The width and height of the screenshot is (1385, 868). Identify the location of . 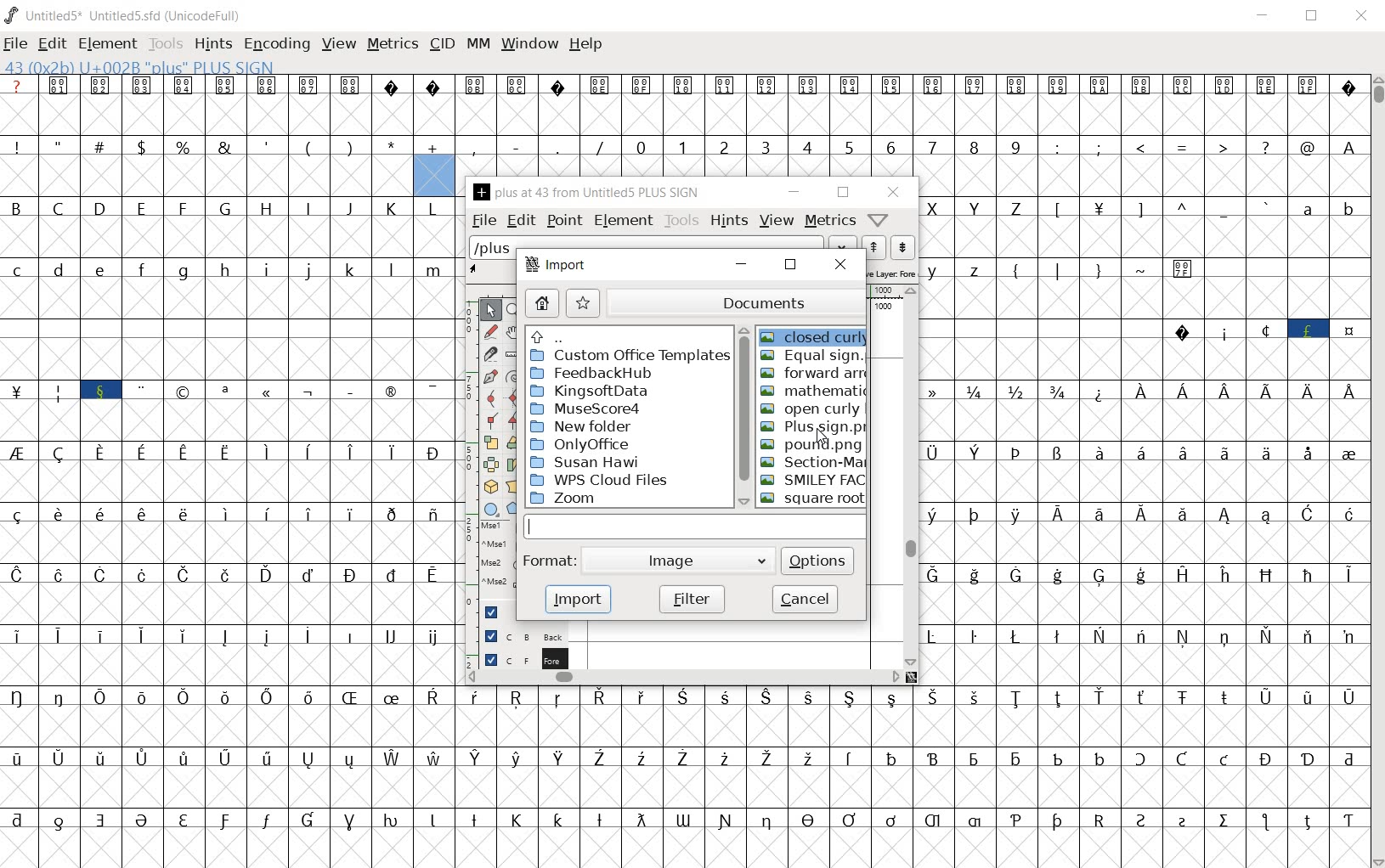
(960, 289).